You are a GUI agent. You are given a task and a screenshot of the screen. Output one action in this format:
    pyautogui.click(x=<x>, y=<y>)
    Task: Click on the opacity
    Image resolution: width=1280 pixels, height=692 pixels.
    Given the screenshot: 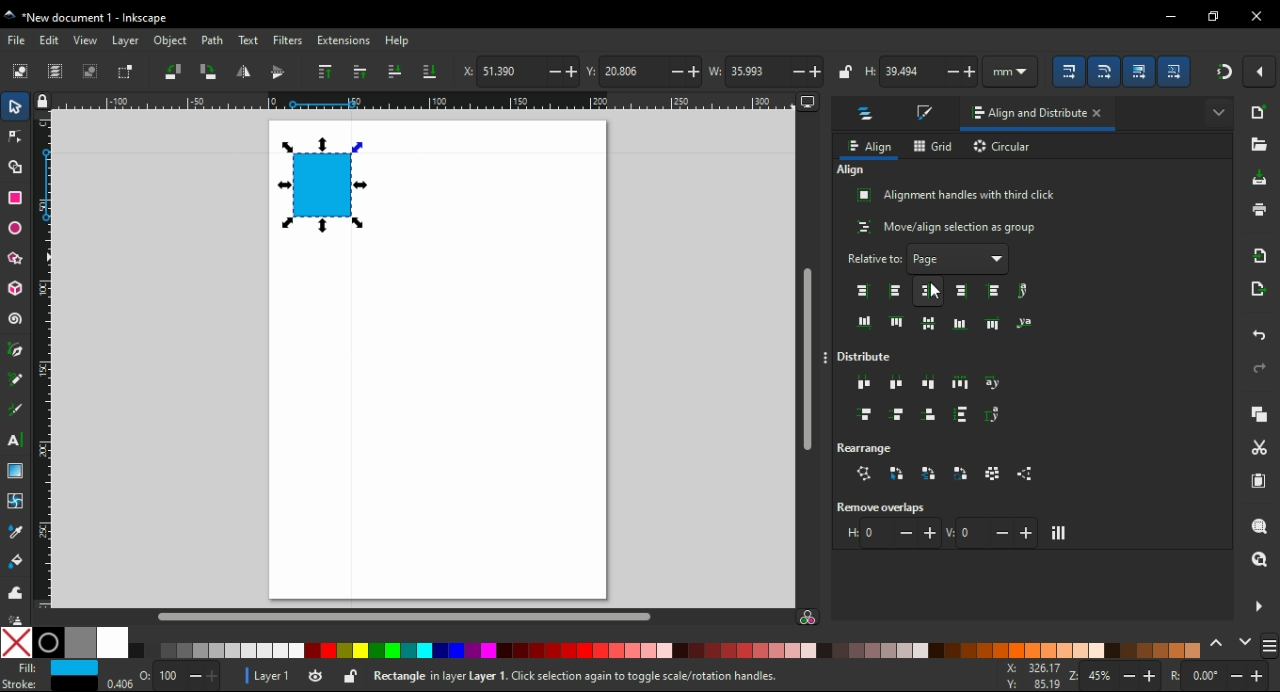 What is the action you would take?
    pyautogui.click(x=163, y=679)
    